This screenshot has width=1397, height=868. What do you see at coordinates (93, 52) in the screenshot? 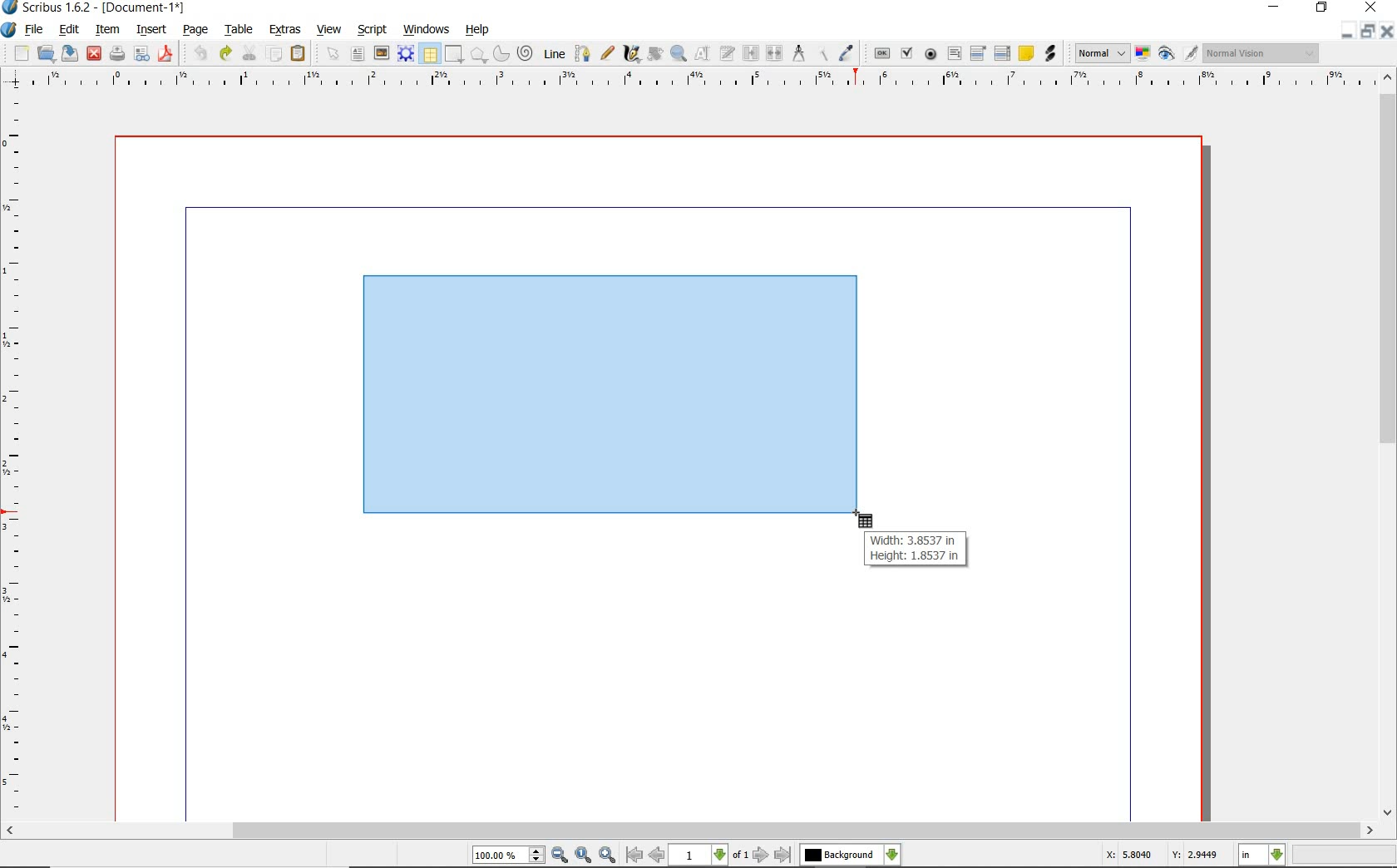
I see `close` at bounding box center [93, 52].